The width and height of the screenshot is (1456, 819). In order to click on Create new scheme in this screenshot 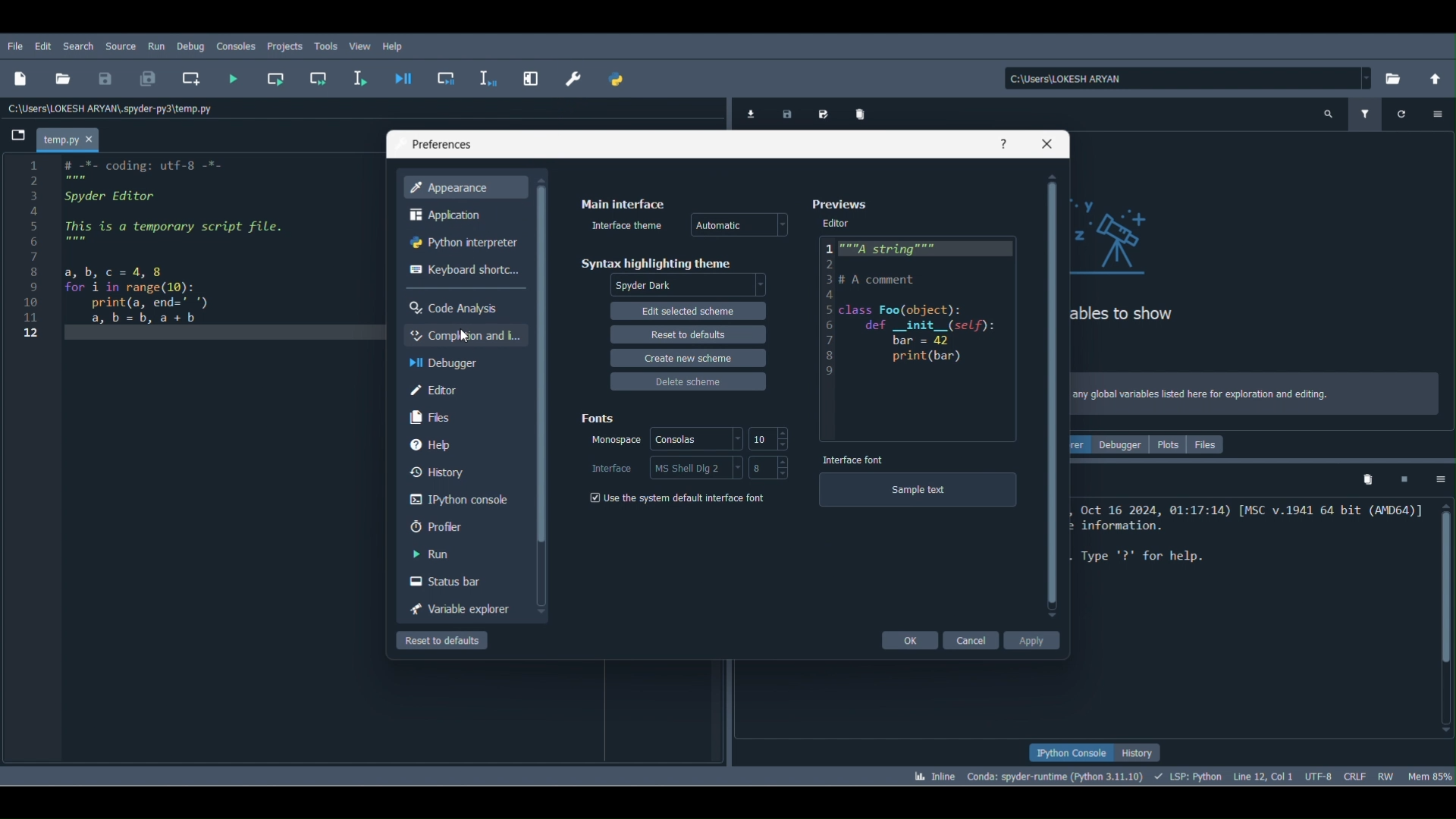, I will do `click(682, 359)`.